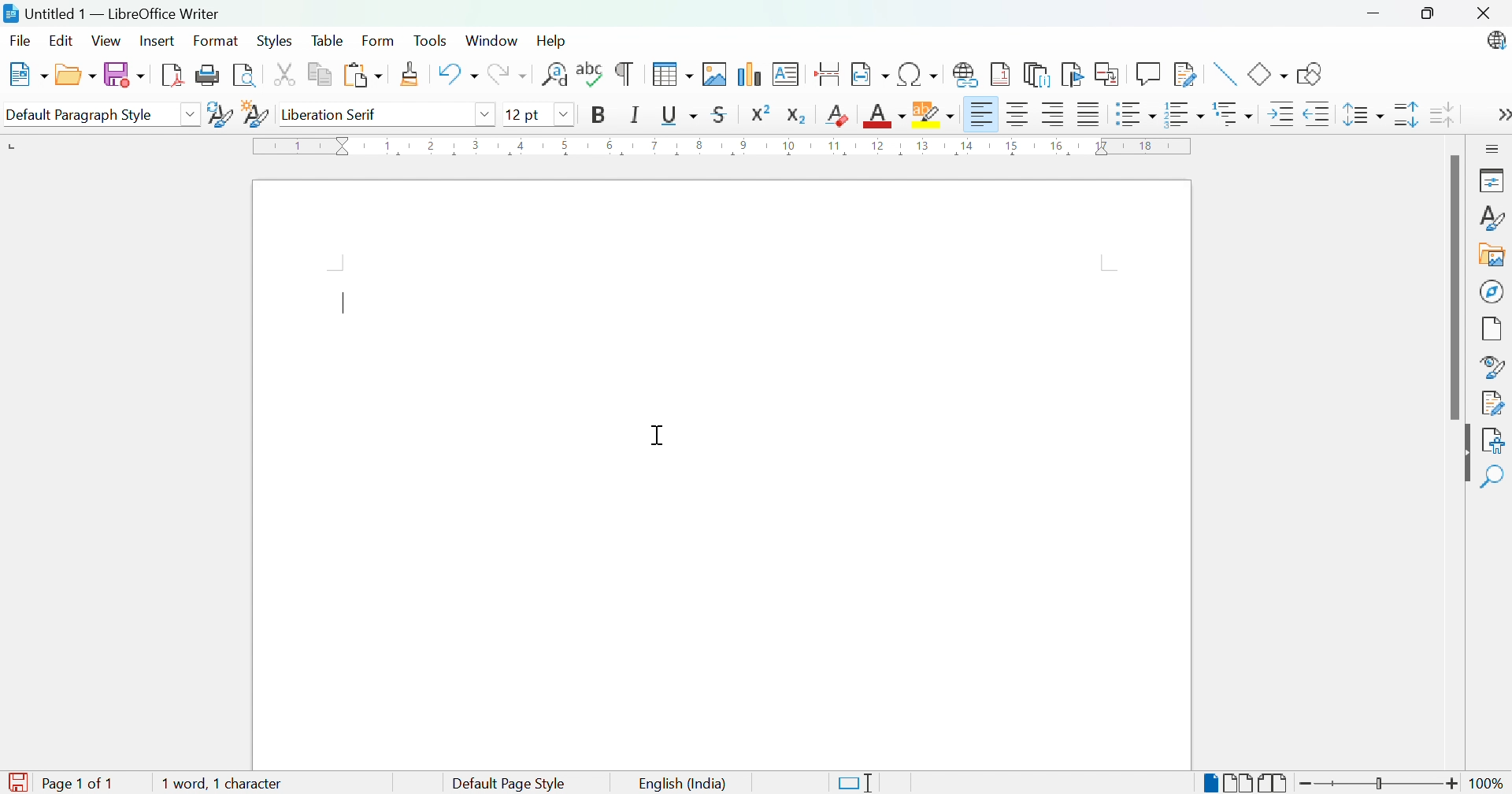 The width and height of the screenshot is (1512, 794). What do you see at coordinates (108, 40) in the screenshot?
I see `View` at bounding box center [108, 40].